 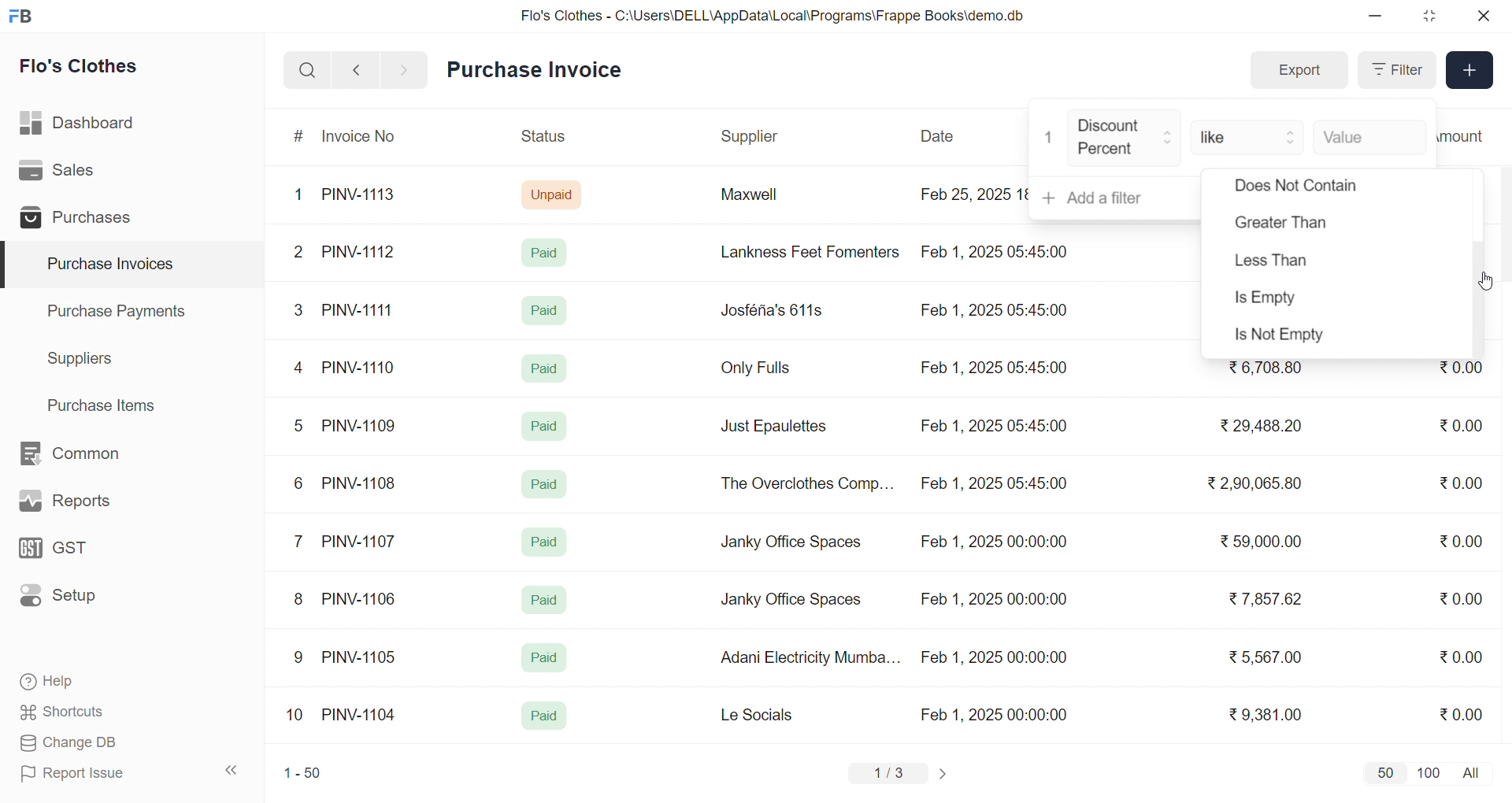 What do you see at coordinates (539, 70) in the screenshot?
I see `Purchase Invoice` at bounding box center [539, 70].